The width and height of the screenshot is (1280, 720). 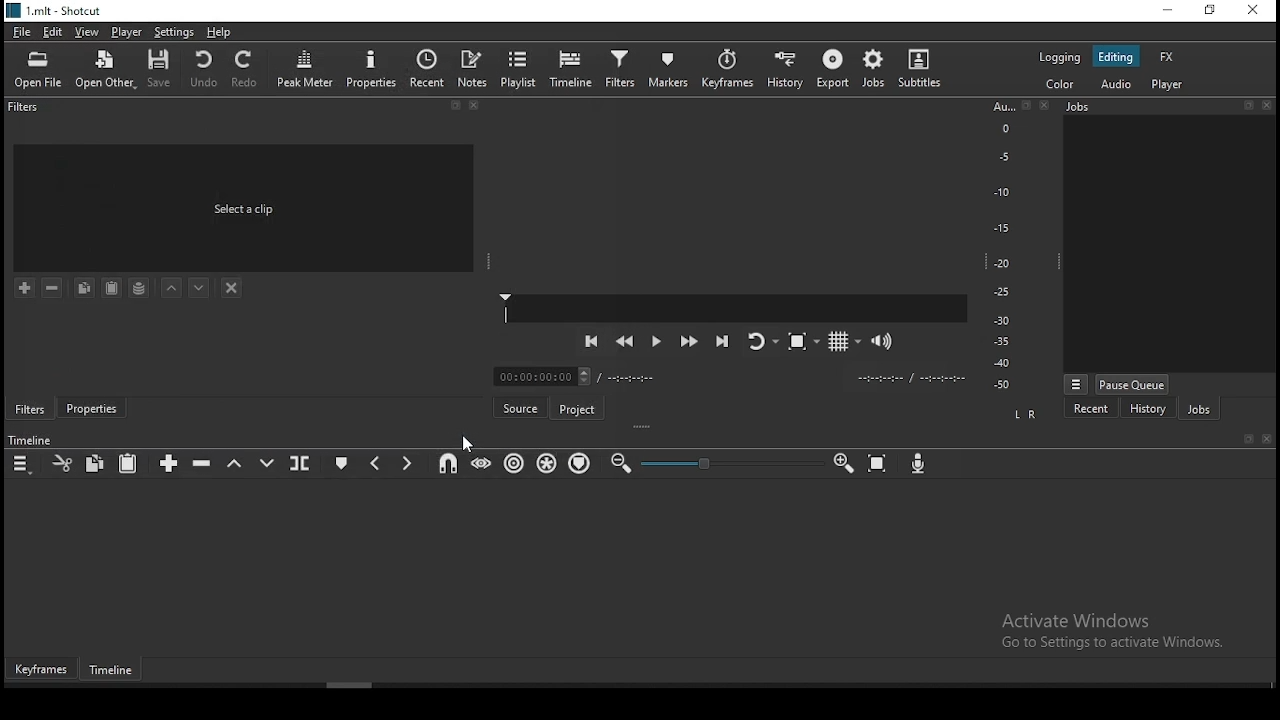 I want to click on next marker, so click(x=407, y=462).